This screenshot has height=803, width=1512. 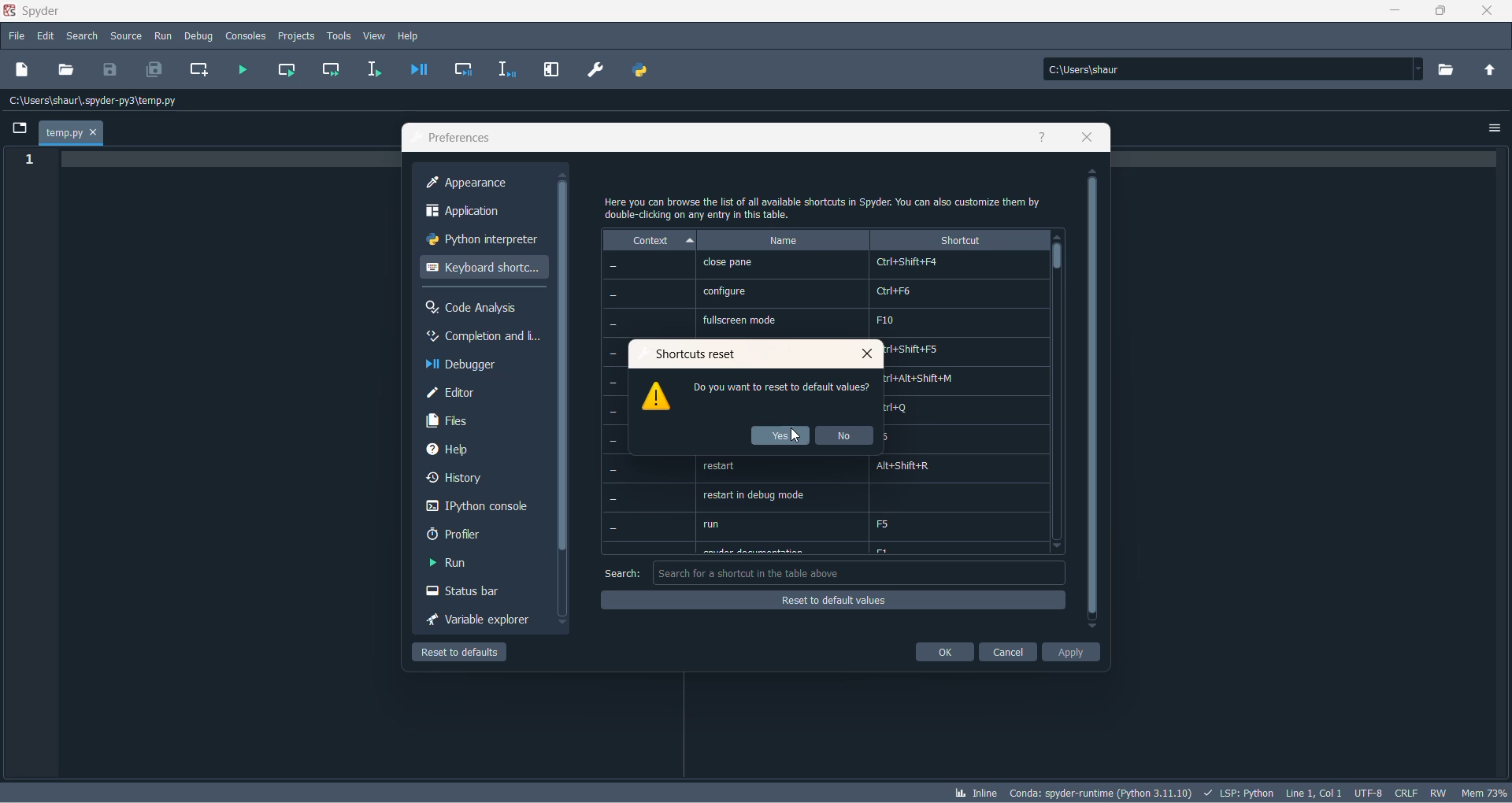 What do you see at coordinates (1450, 71) in the screenshot?
I see `working directory` at bounding box center [1450, 71].